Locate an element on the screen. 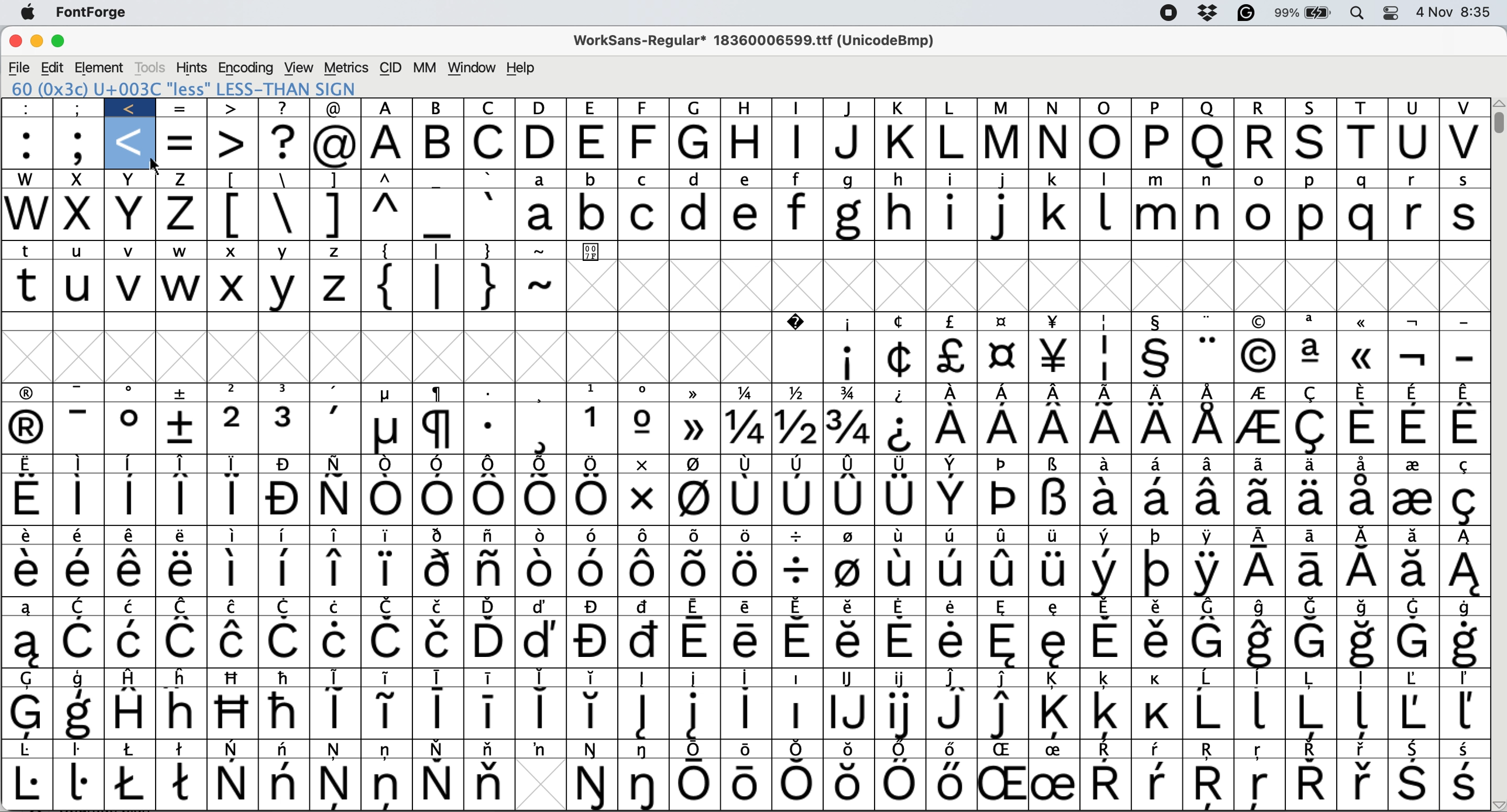 This screenshot has width=1507, height=812. Symbol is located at coordinates (1264, 573).